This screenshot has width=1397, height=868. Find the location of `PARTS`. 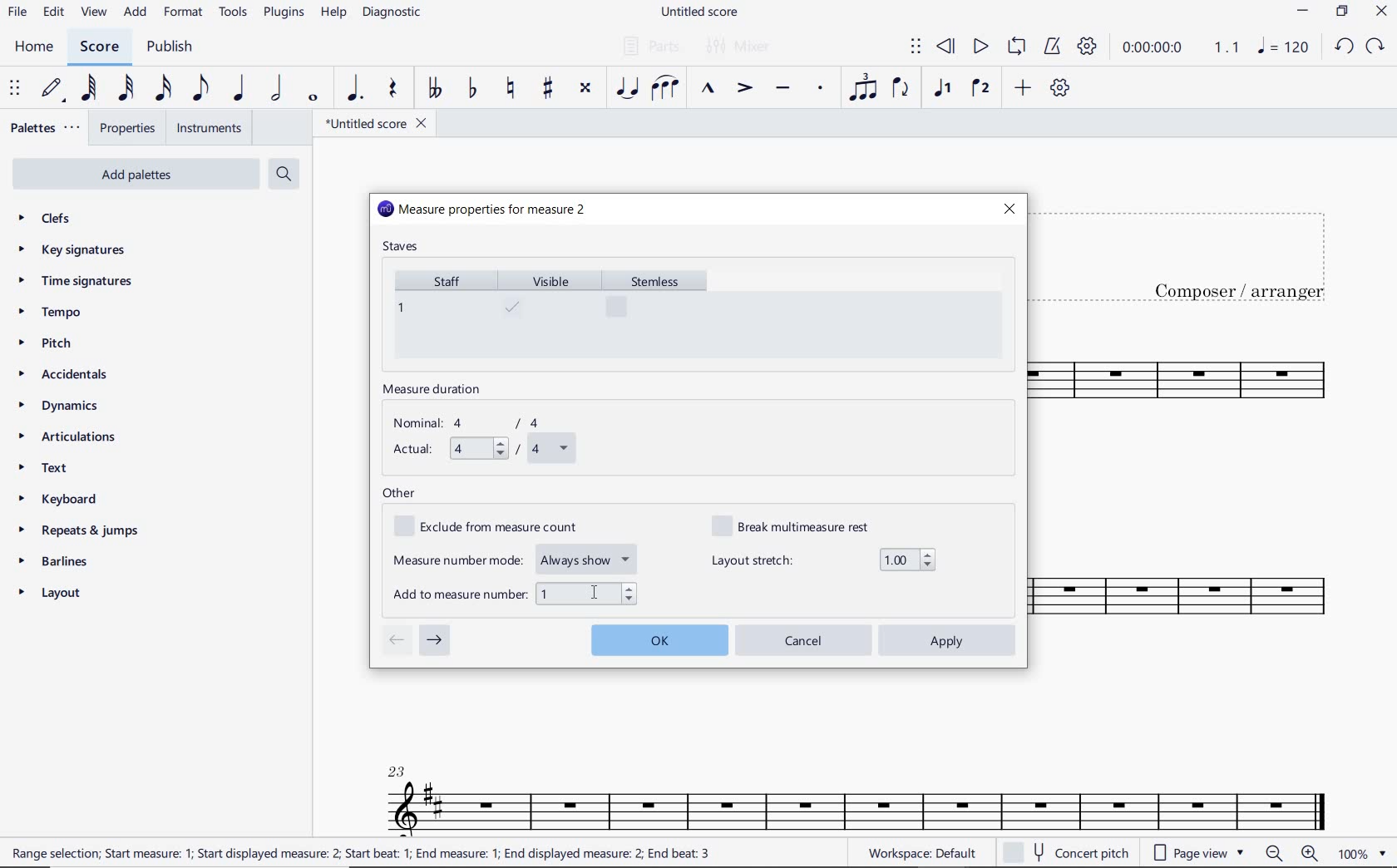

PARTS is located at coordinates (650, 45).